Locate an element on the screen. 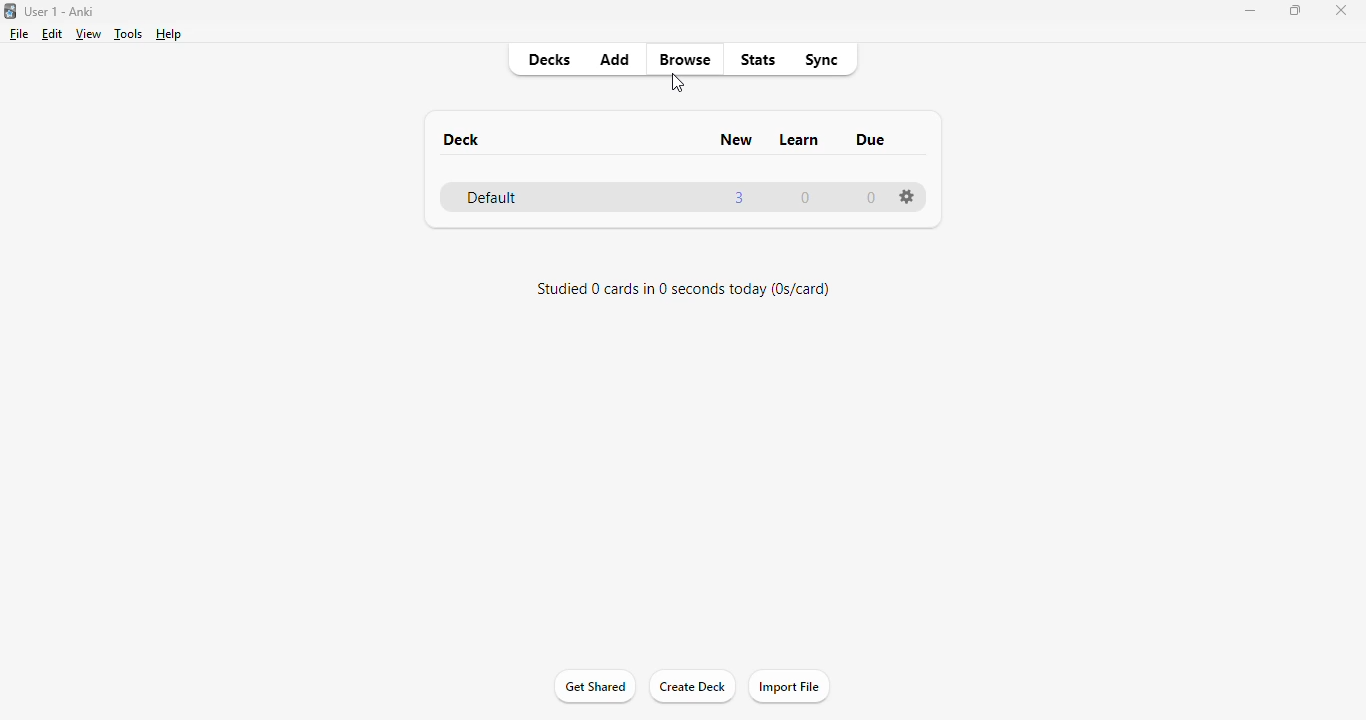  new is located at coordinates (737, 139).